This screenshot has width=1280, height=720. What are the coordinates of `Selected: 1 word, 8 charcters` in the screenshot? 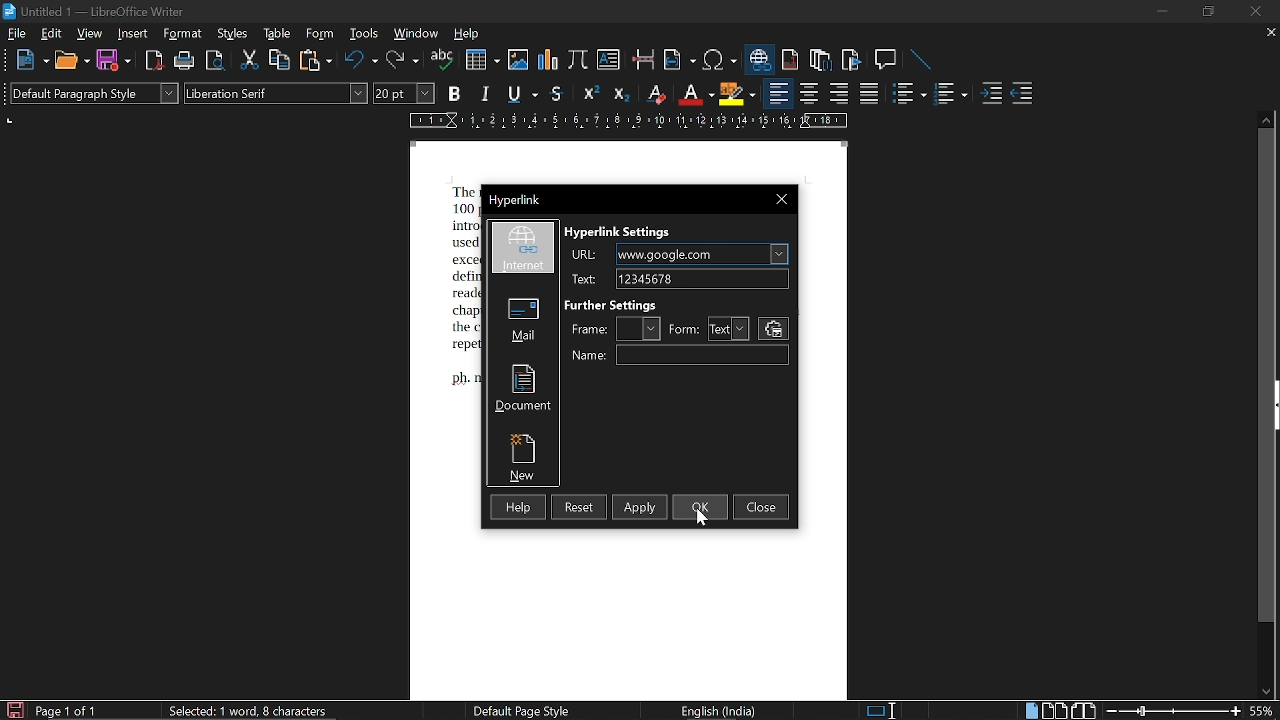 It's located at (248, 710).